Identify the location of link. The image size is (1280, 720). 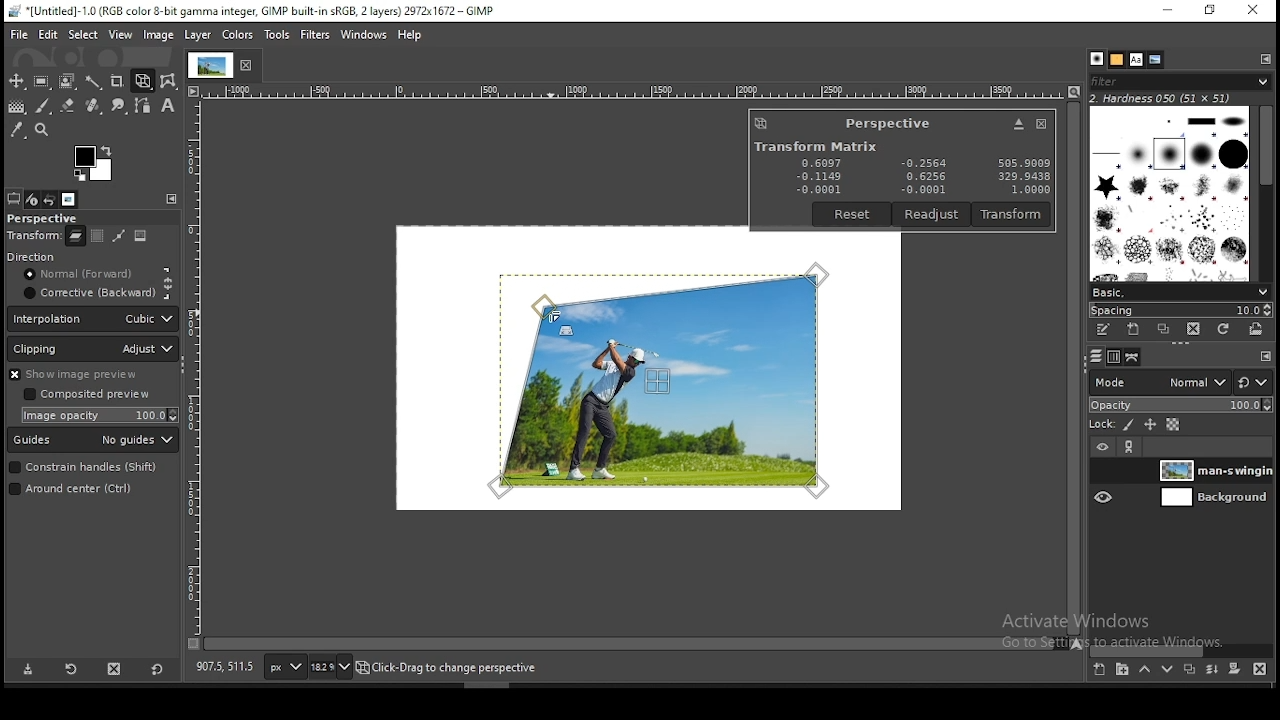
(1131, 449).